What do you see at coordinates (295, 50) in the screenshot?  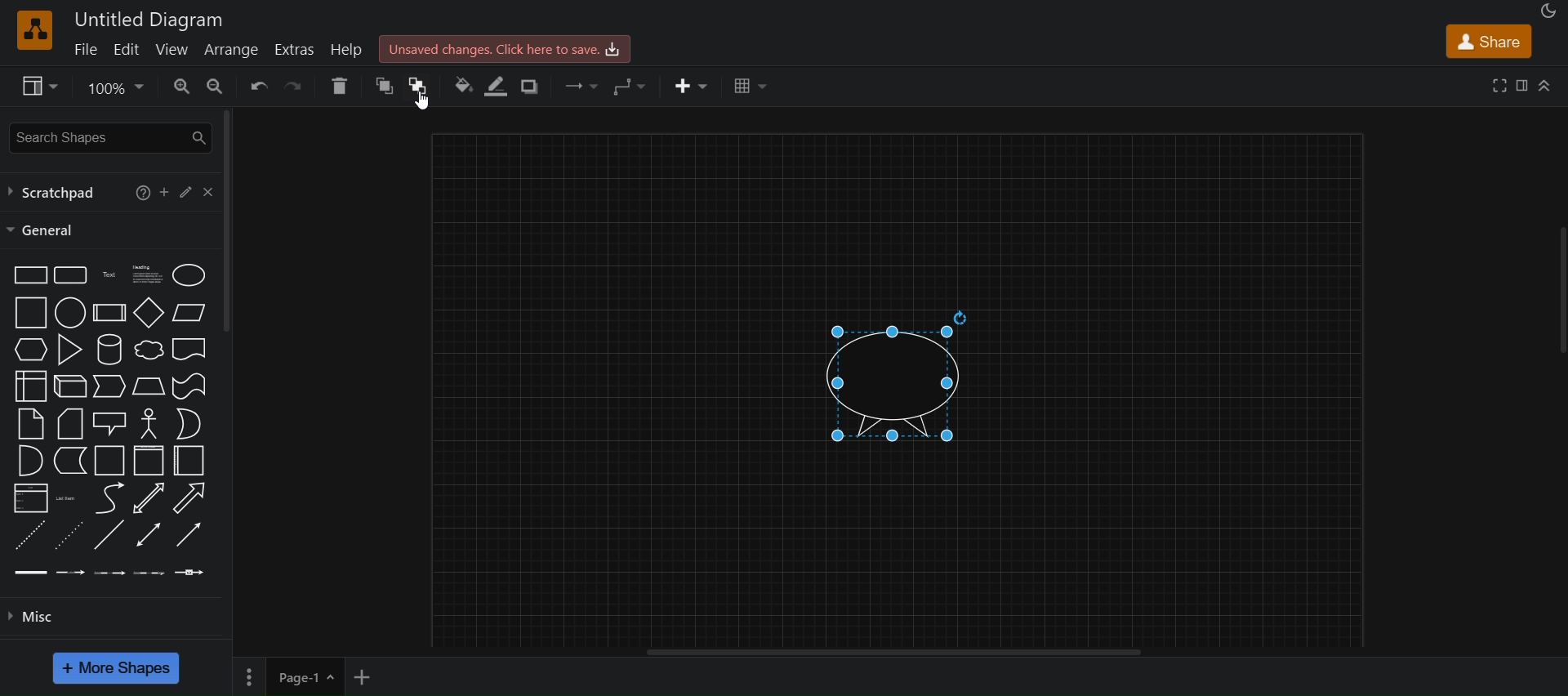 I see `extras` at bounding box center [295, 50].